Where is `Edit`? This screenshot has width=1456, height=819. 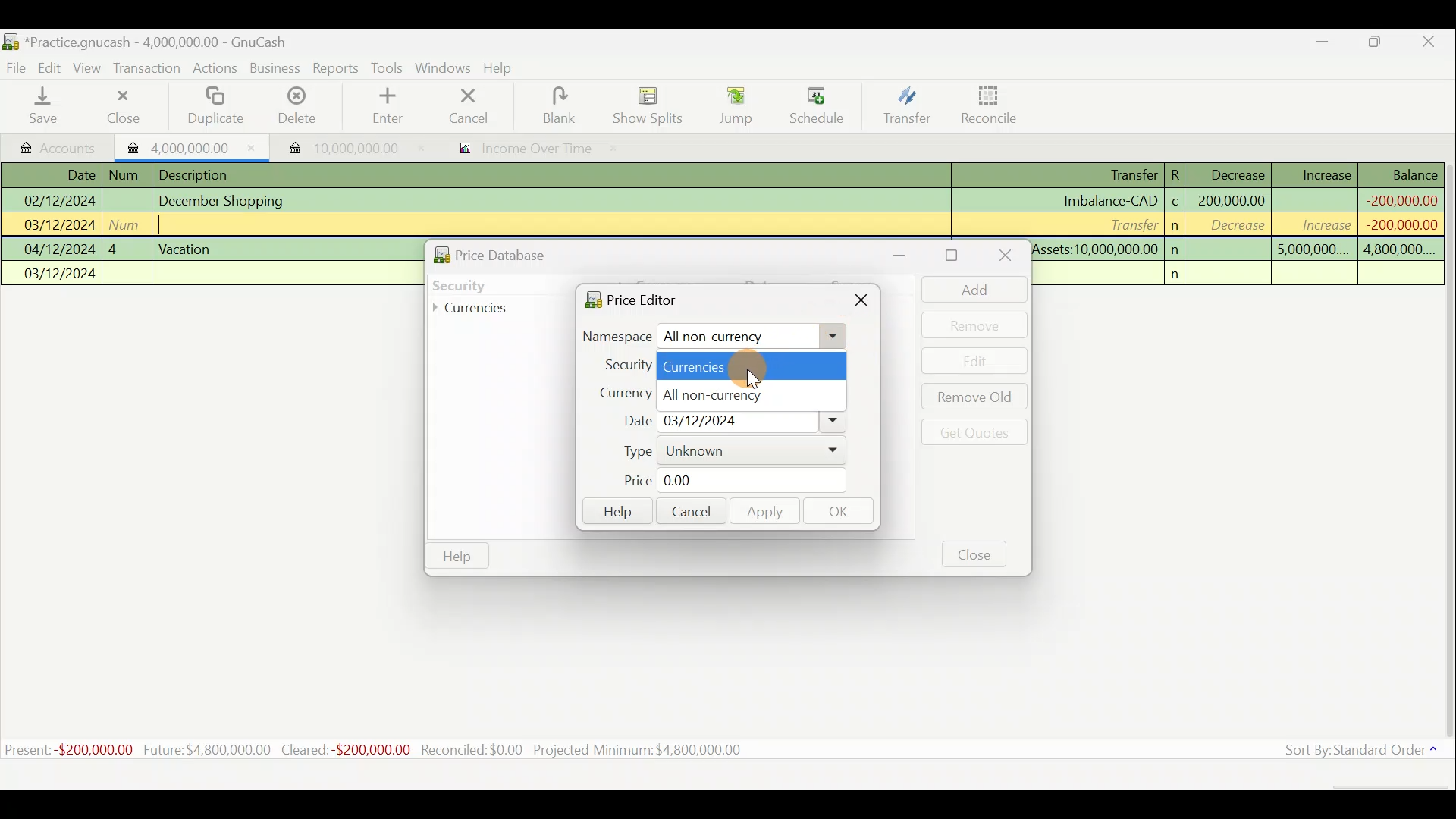 Edit is located at coordinates (52, 67).